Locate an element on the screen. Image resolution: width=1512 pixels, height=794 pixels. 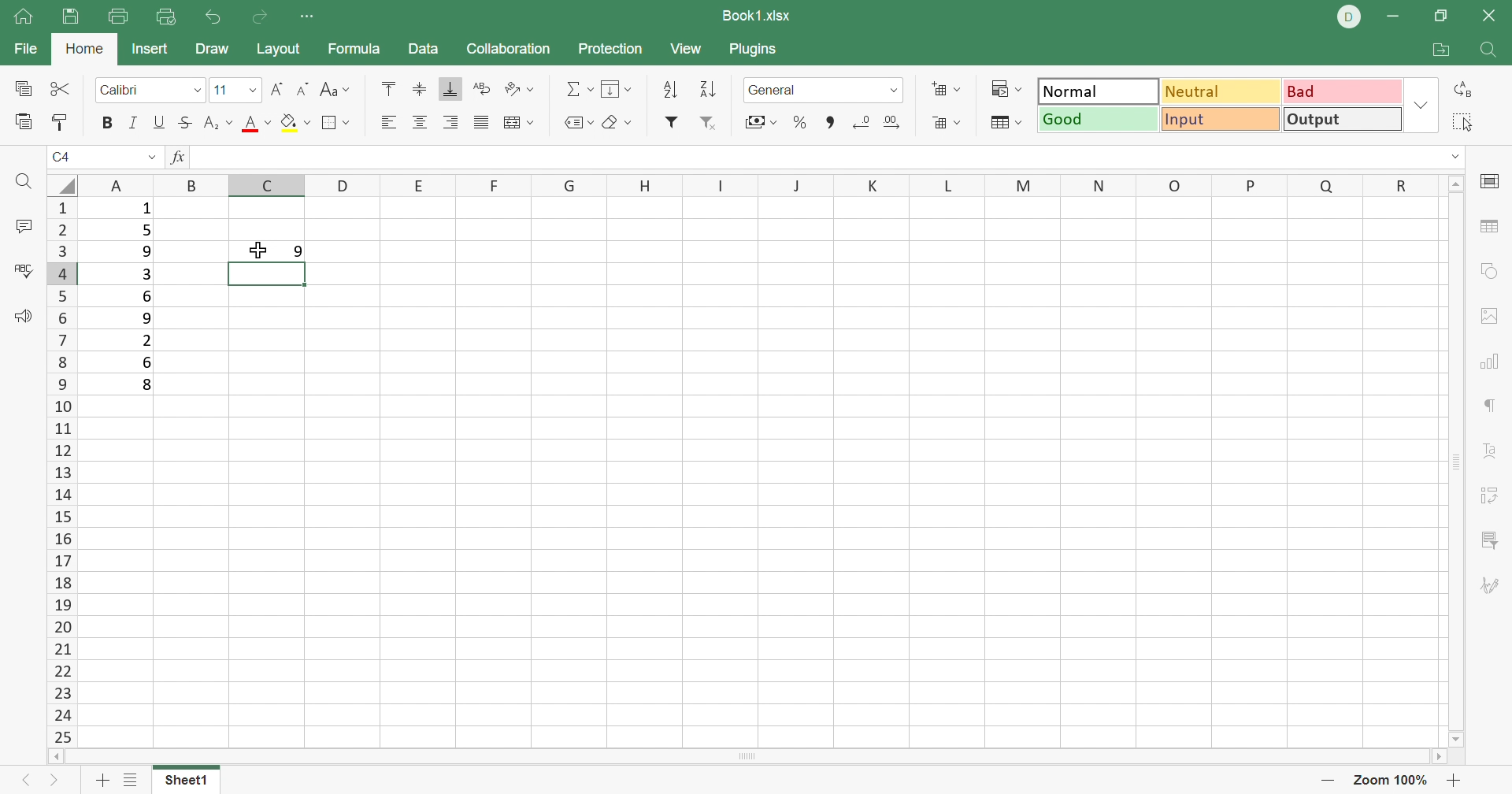
Scroll Bar is located at coordinates (1450, 461).